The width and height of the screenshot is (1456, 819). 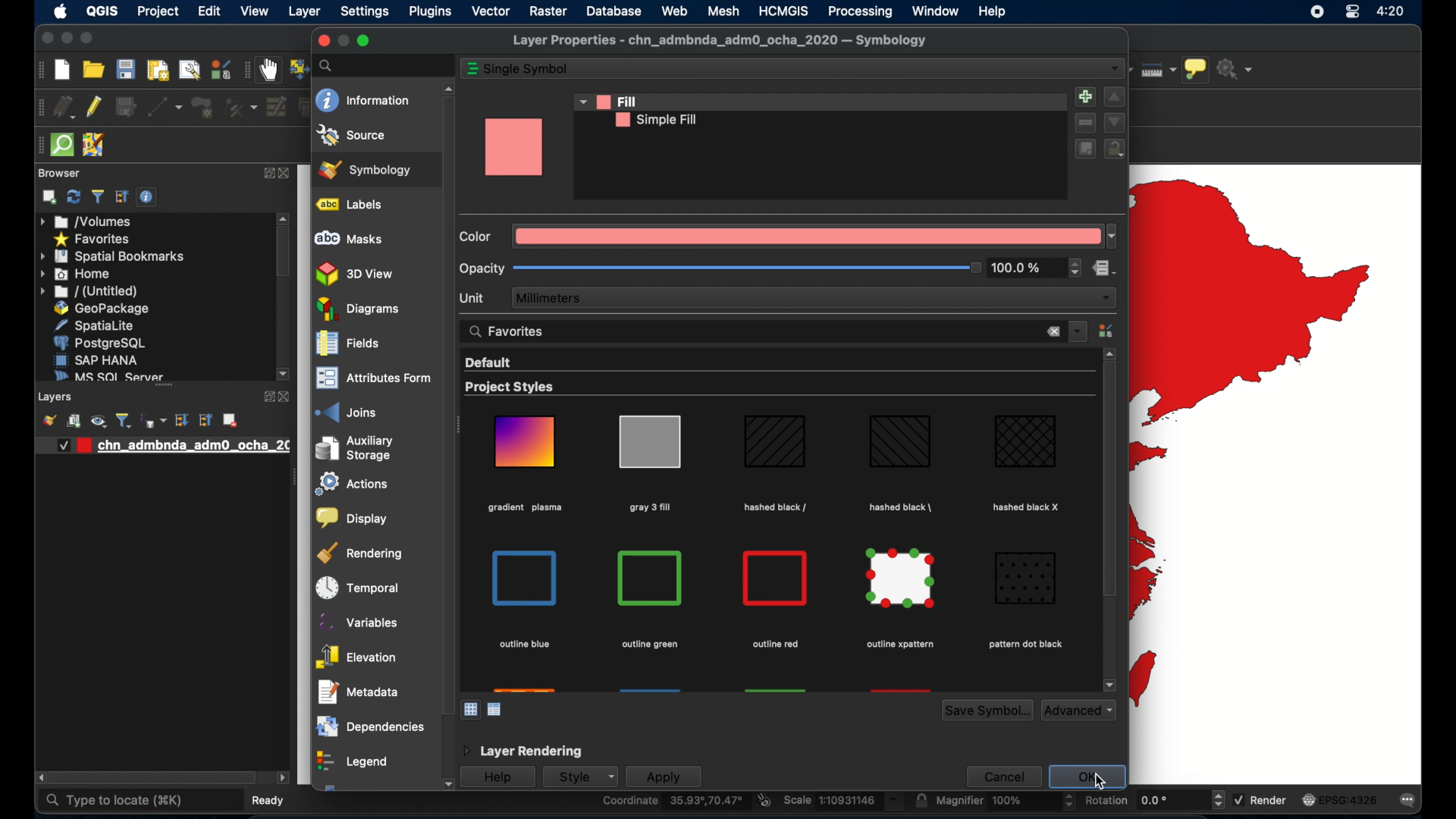 What do you see at coordinates (430, 14) in the screenshot?
I see `plugins` at bounding box center [430, 14].